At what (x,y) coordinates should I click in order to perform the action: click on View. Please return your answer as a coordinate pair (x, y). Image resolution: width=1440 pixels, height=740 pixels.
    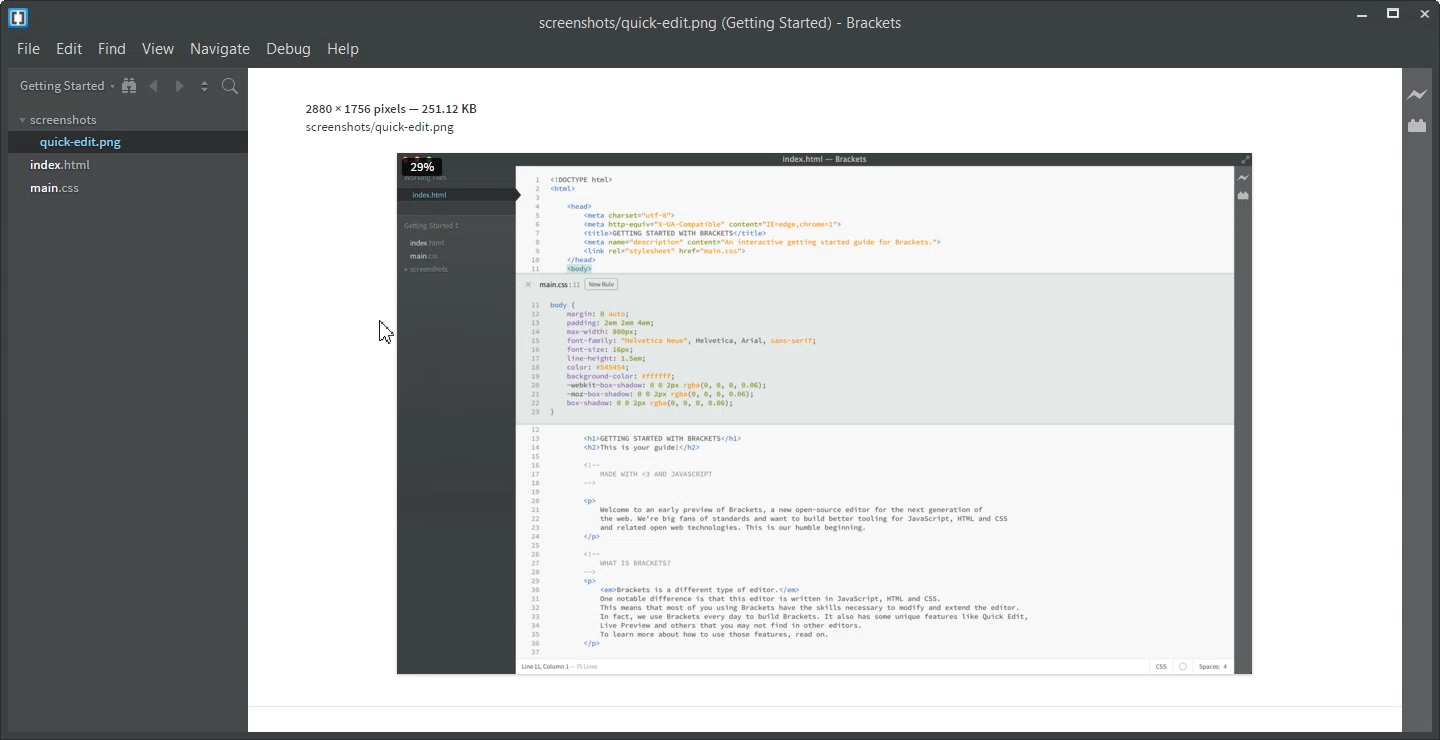
    Looking at the image, I should click on (157, 49).